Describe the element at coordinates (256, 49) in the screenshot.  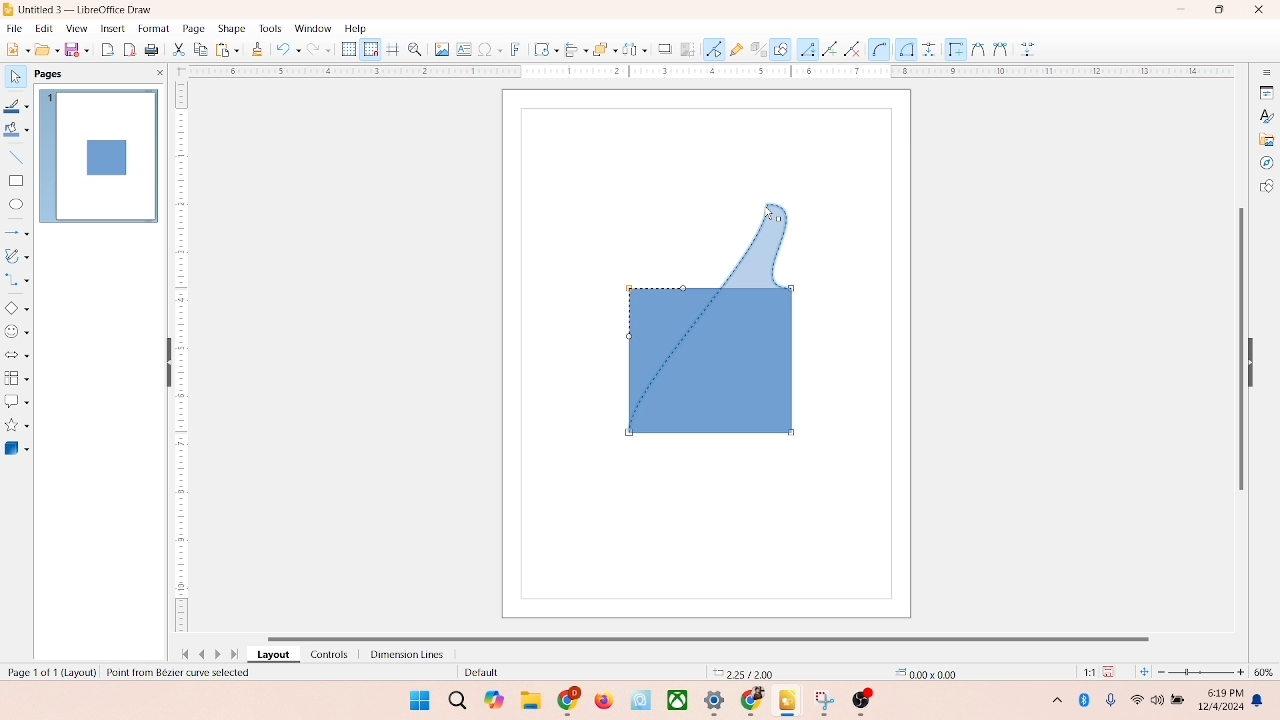
I see `clone formatting` at that location.